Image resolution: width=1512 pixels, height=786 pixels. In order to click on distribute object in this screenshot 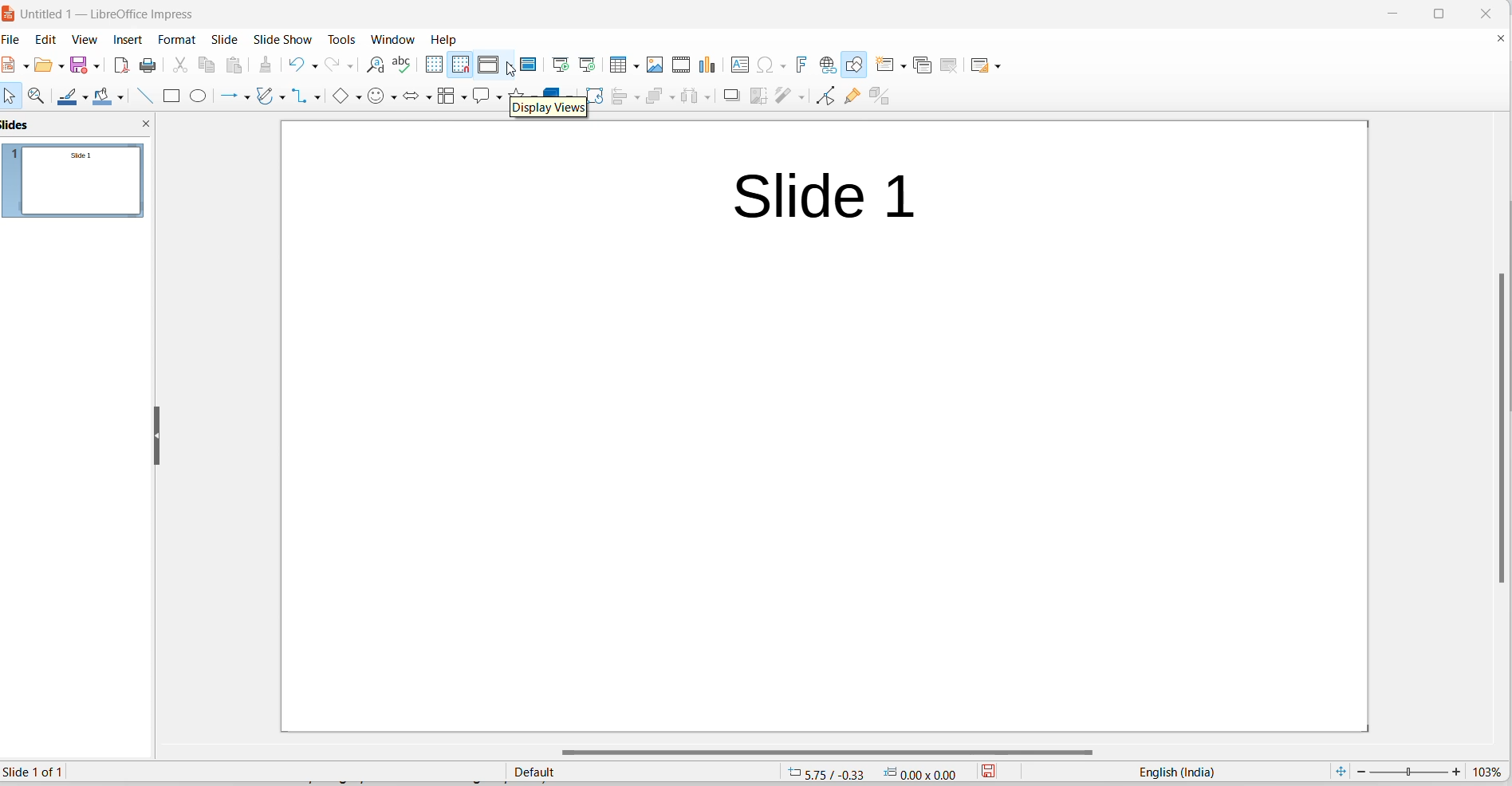, I will do `click(688, 98)`.